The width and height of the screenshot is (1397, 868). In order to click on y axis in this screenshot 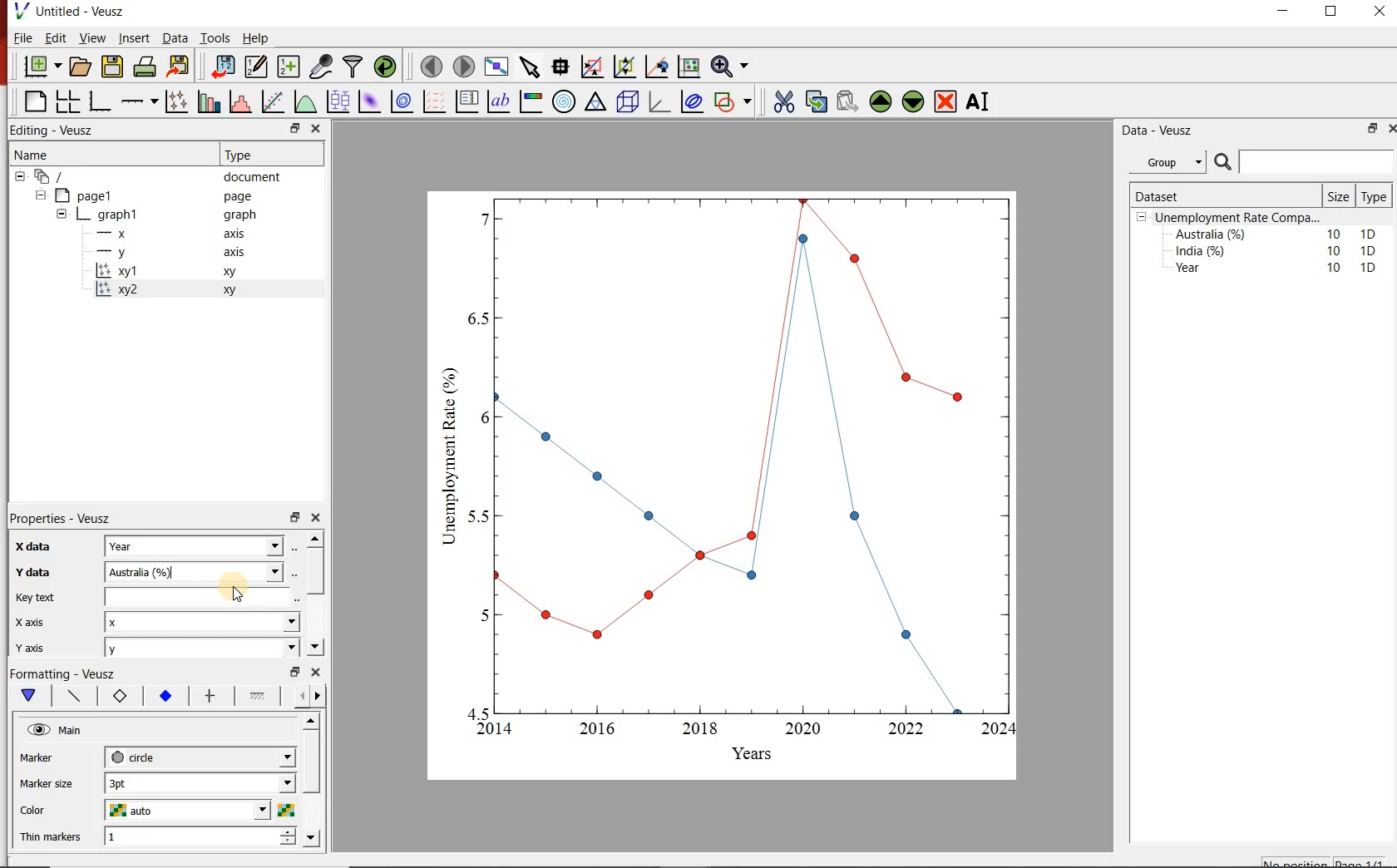, I will do `click(41, 645)`.